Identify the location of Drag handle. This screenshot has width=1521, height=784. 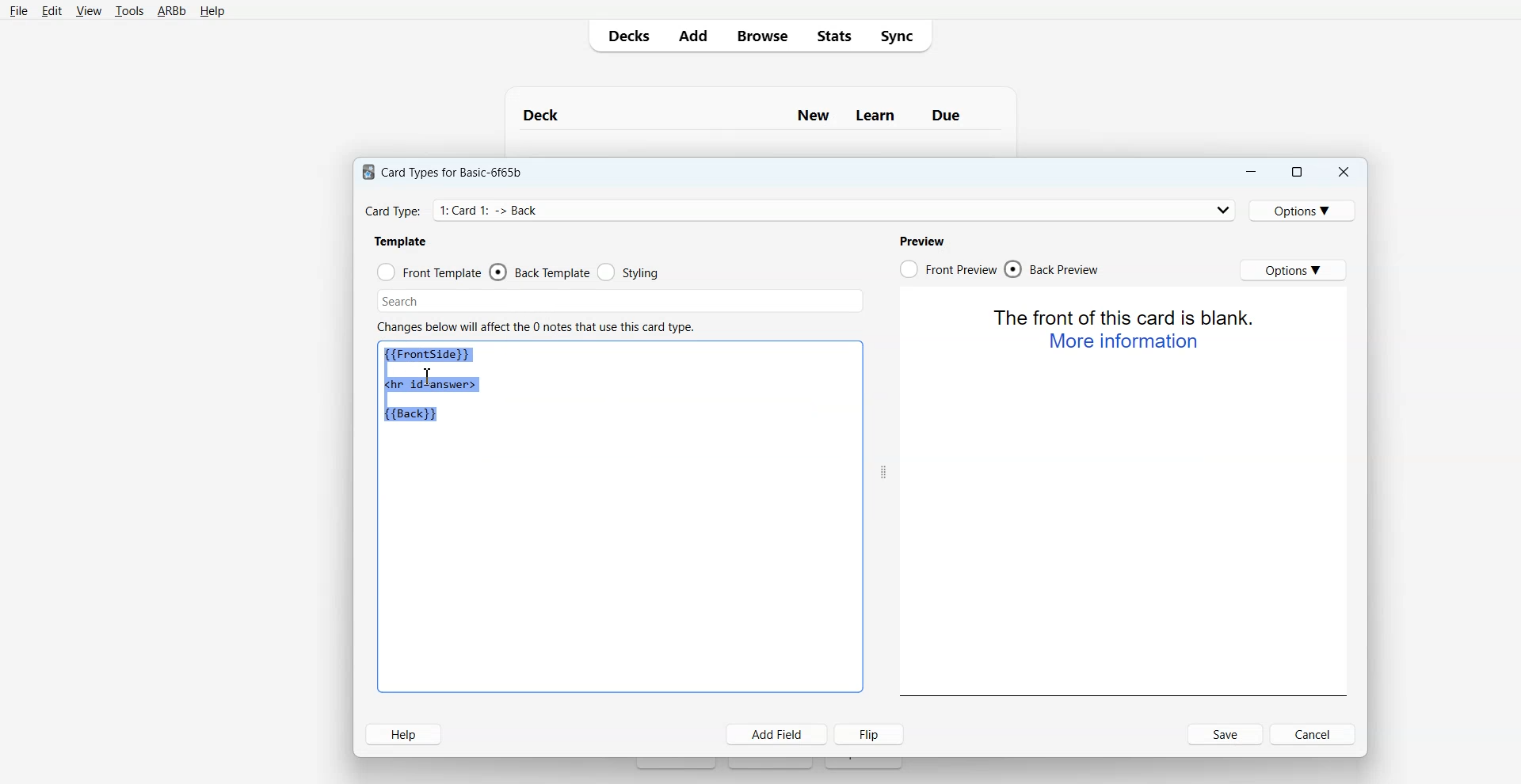
(883, 472).